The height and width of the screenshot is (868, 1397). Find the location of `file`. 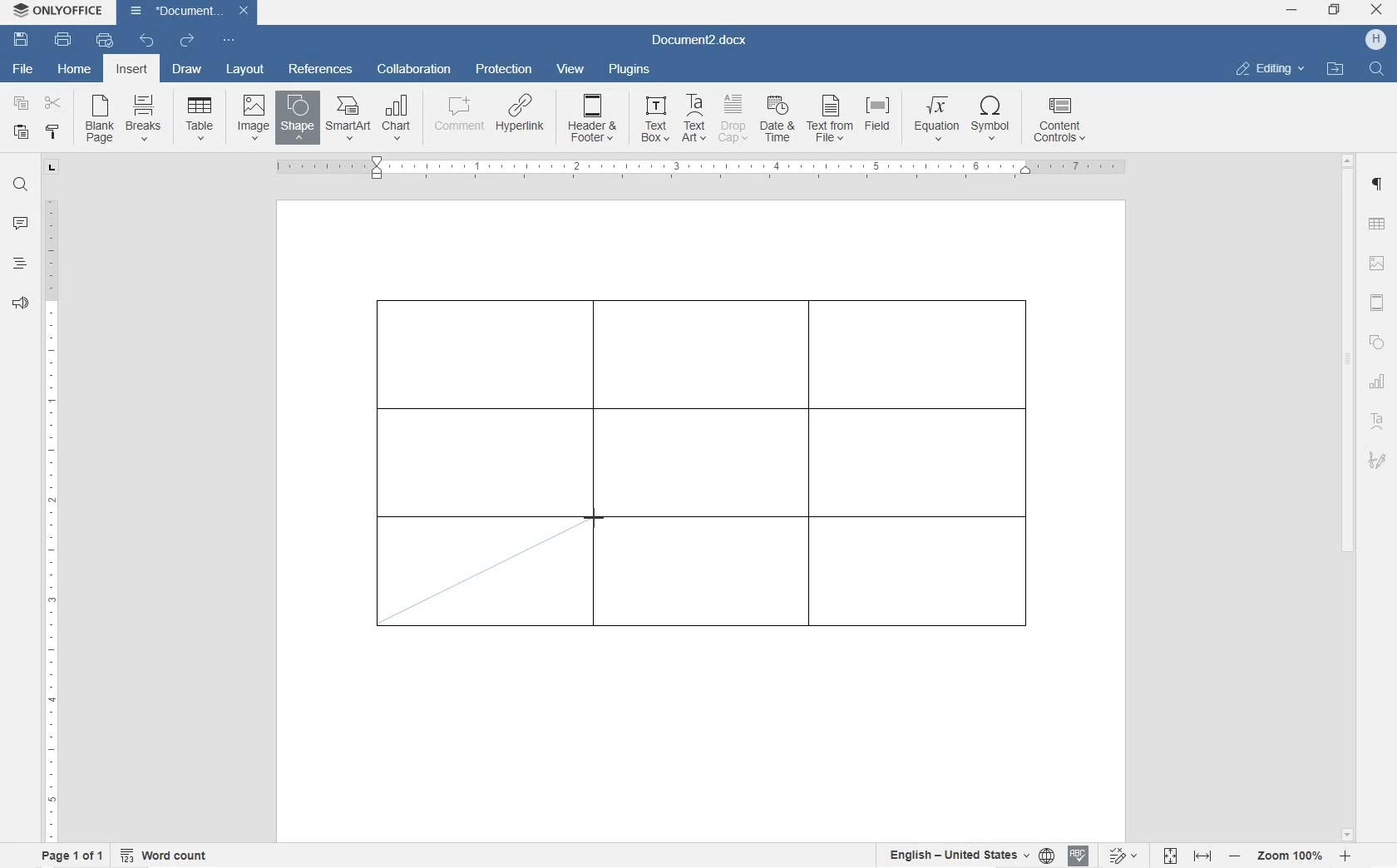

file is located at coordinates (26, 71).